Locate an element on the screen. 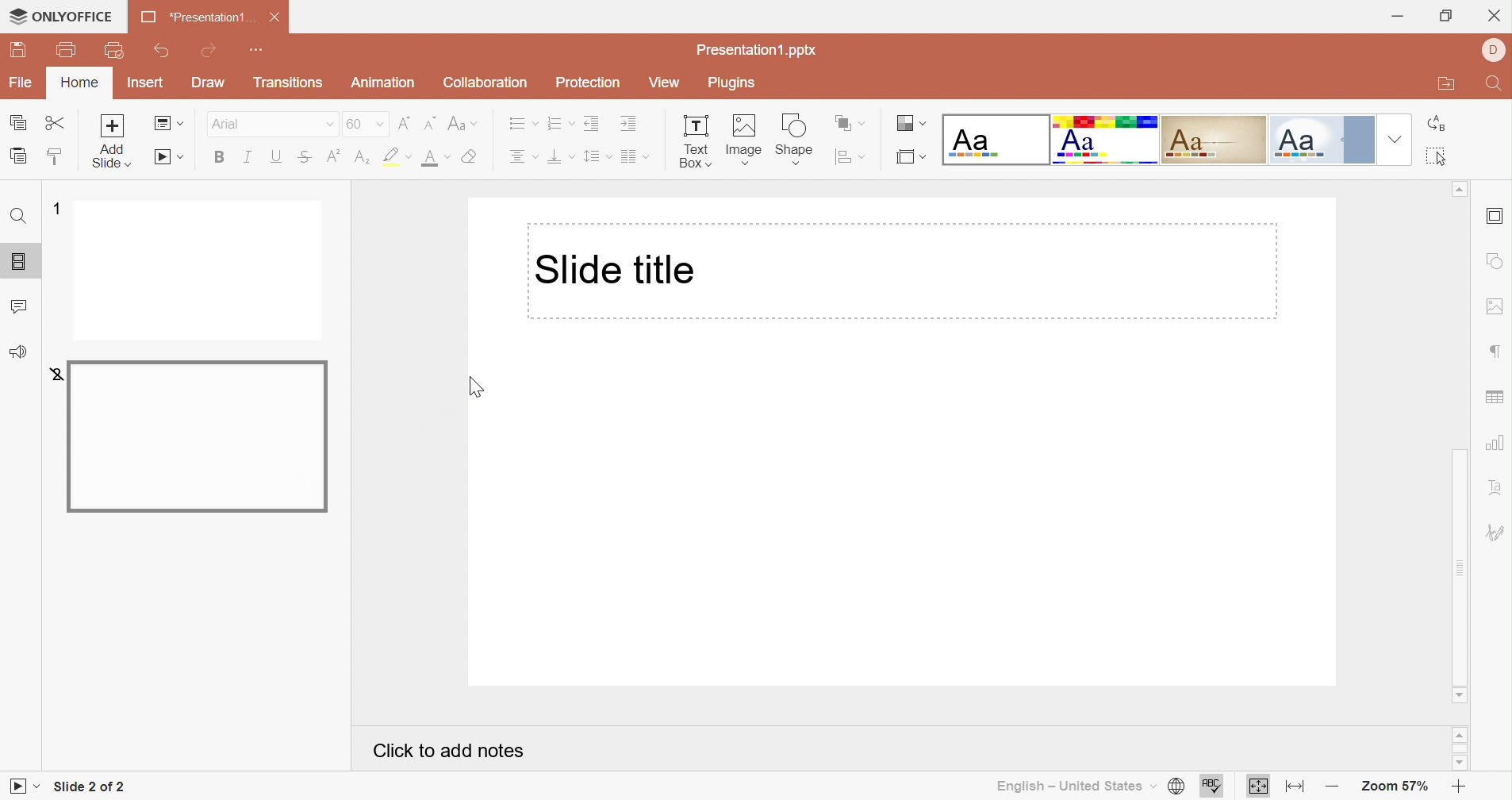 This screenshot has height=800, width=1512. Cut is located at coordinates (57, 124).